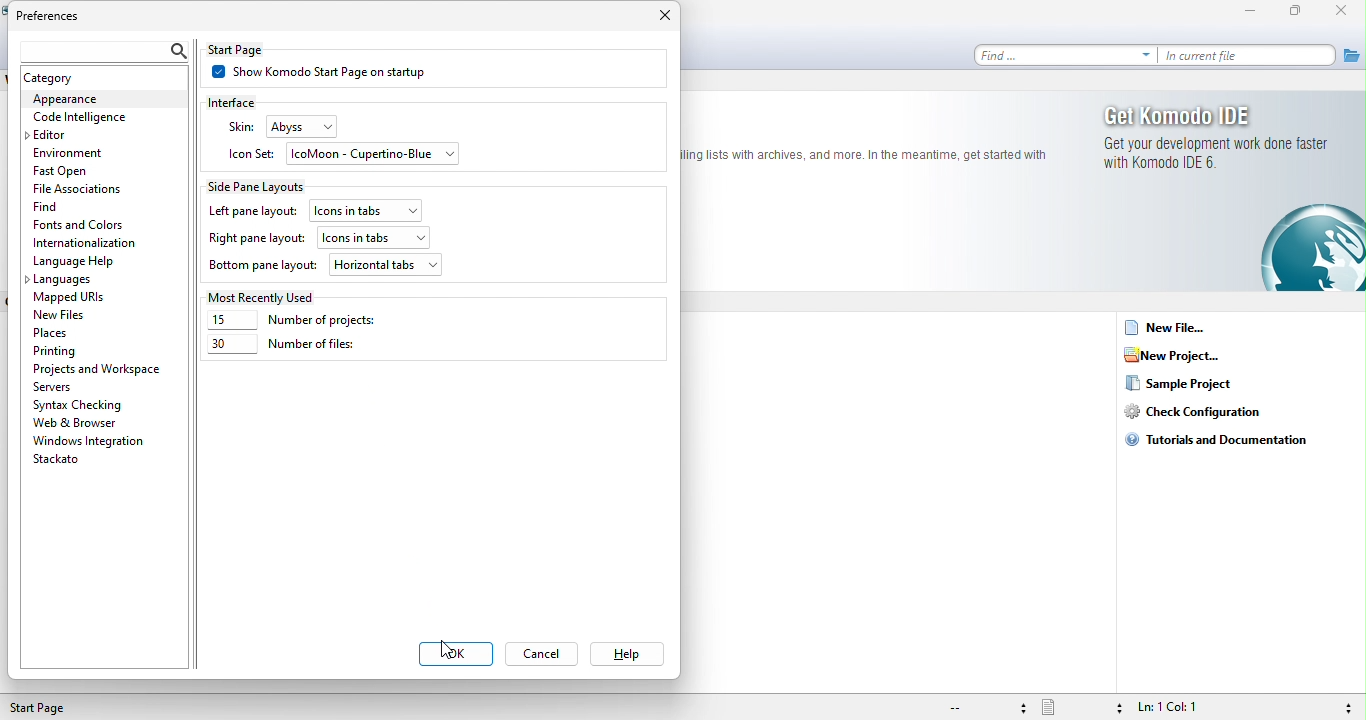  What do you see at coordinates (625, 655) in the screenshot?
I see `help` at bounding box center [625, 655].